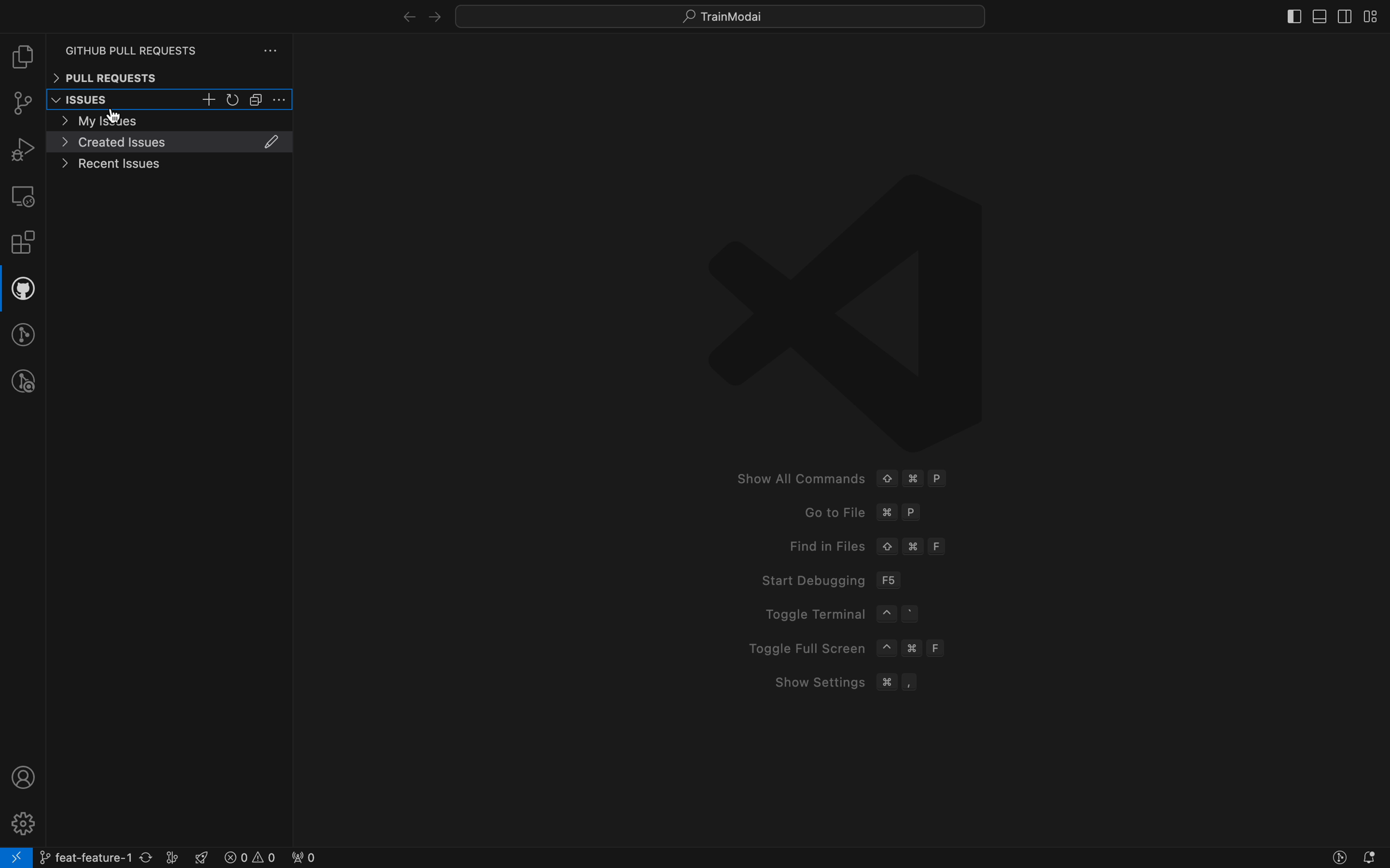 This screenshot has height=868, width=1390. What do you see at coordinates (433, 14) in the screenshot?
I see `left arrow` at bounding box center [433, 14].